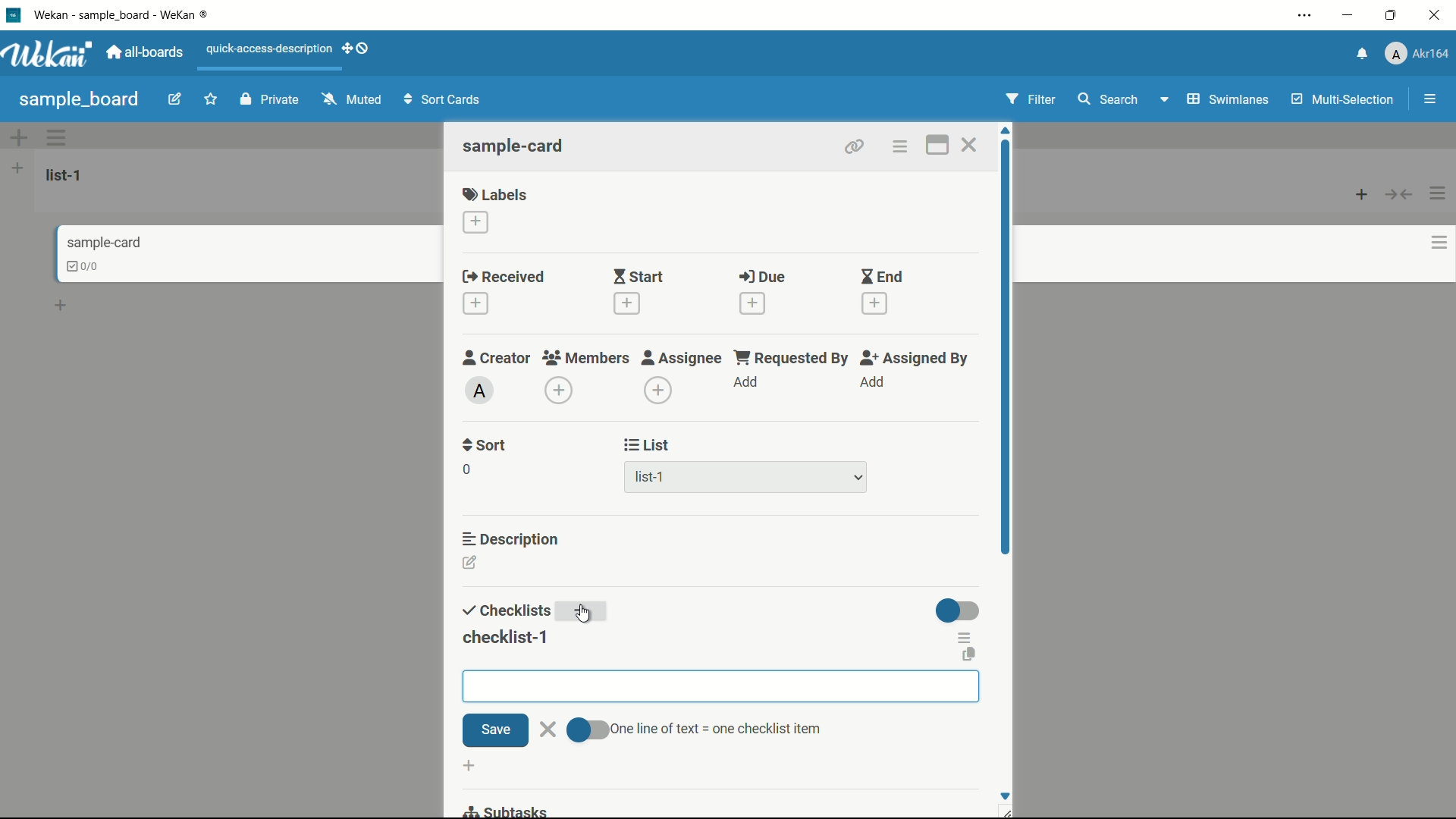 This screenshot has height=819, width=1456. I want to click on maximize, so click(1393, 16).